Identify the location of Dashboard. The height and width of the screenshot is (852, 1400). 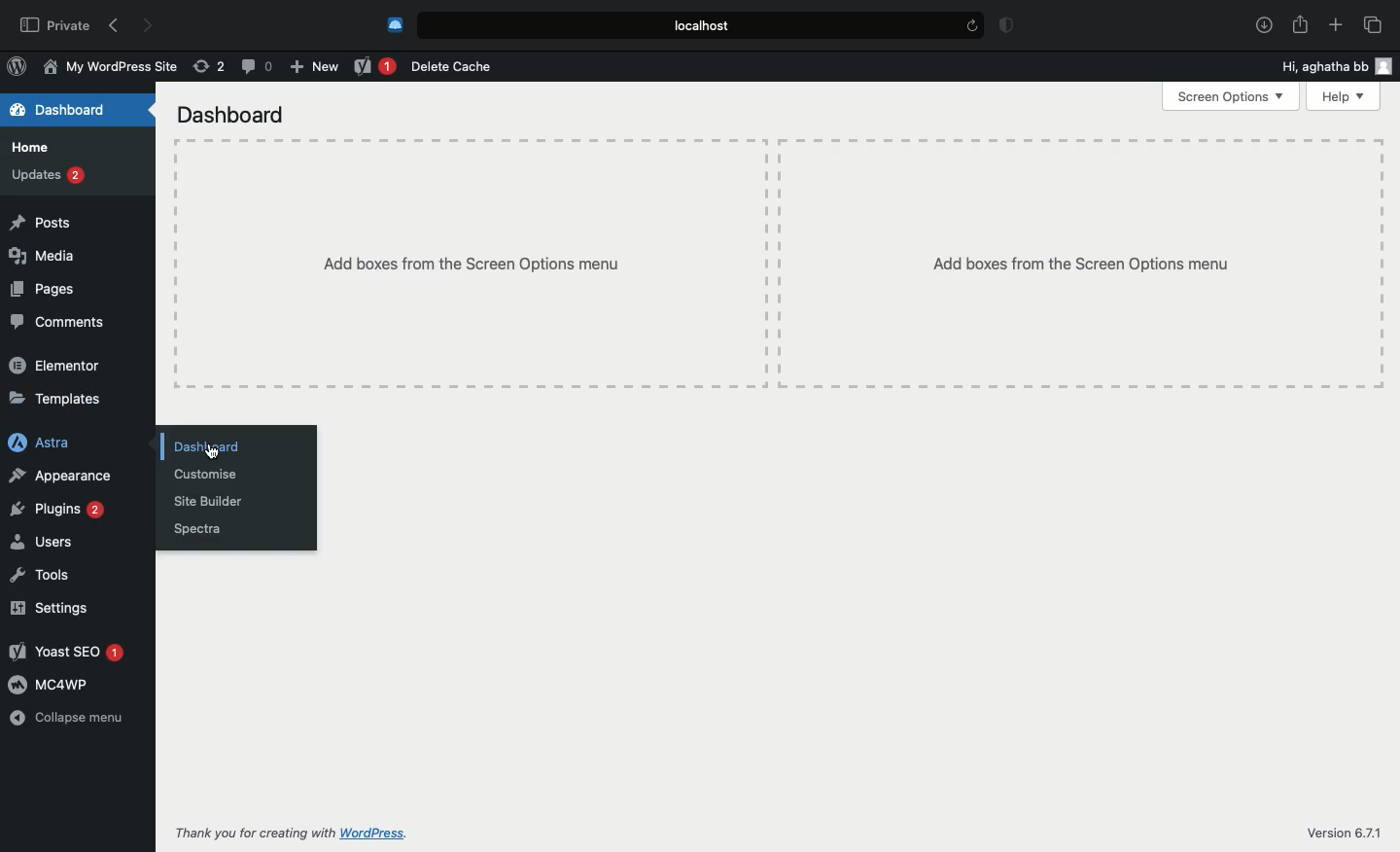
(62, 111).